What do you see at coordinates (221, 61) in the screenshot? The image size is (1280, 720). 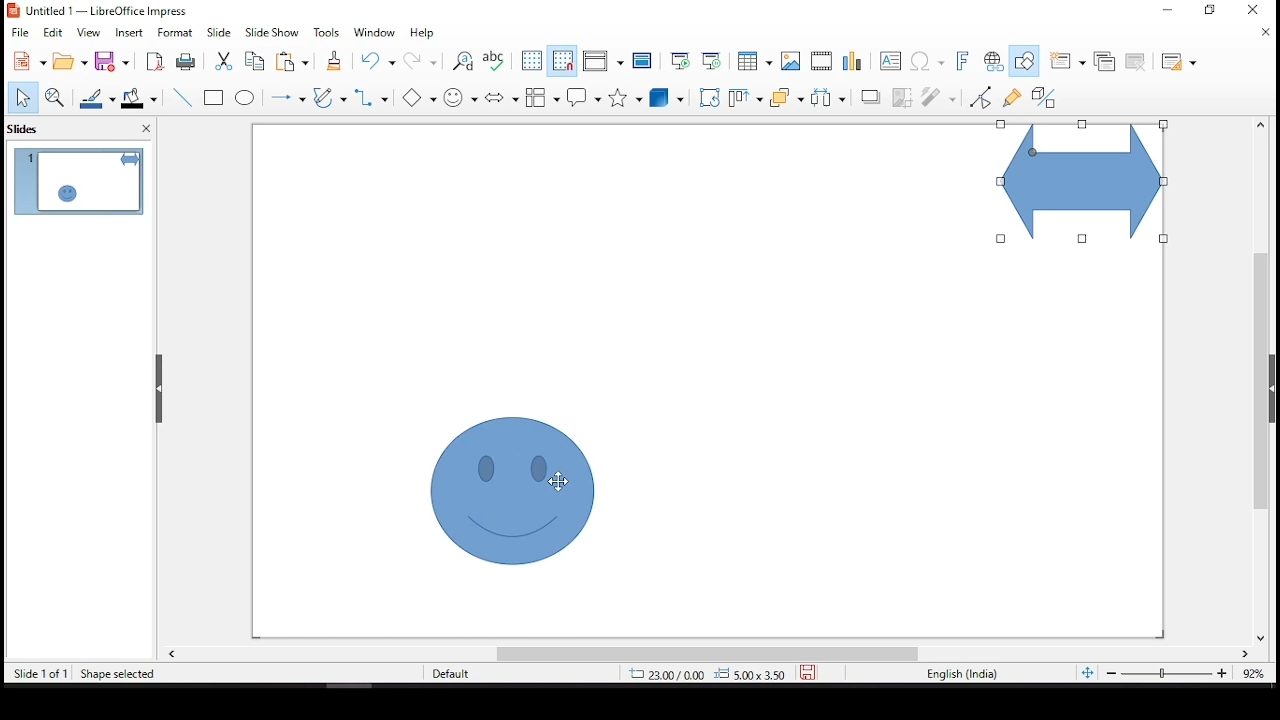 I see `cut` at bounding box center [221, 61].